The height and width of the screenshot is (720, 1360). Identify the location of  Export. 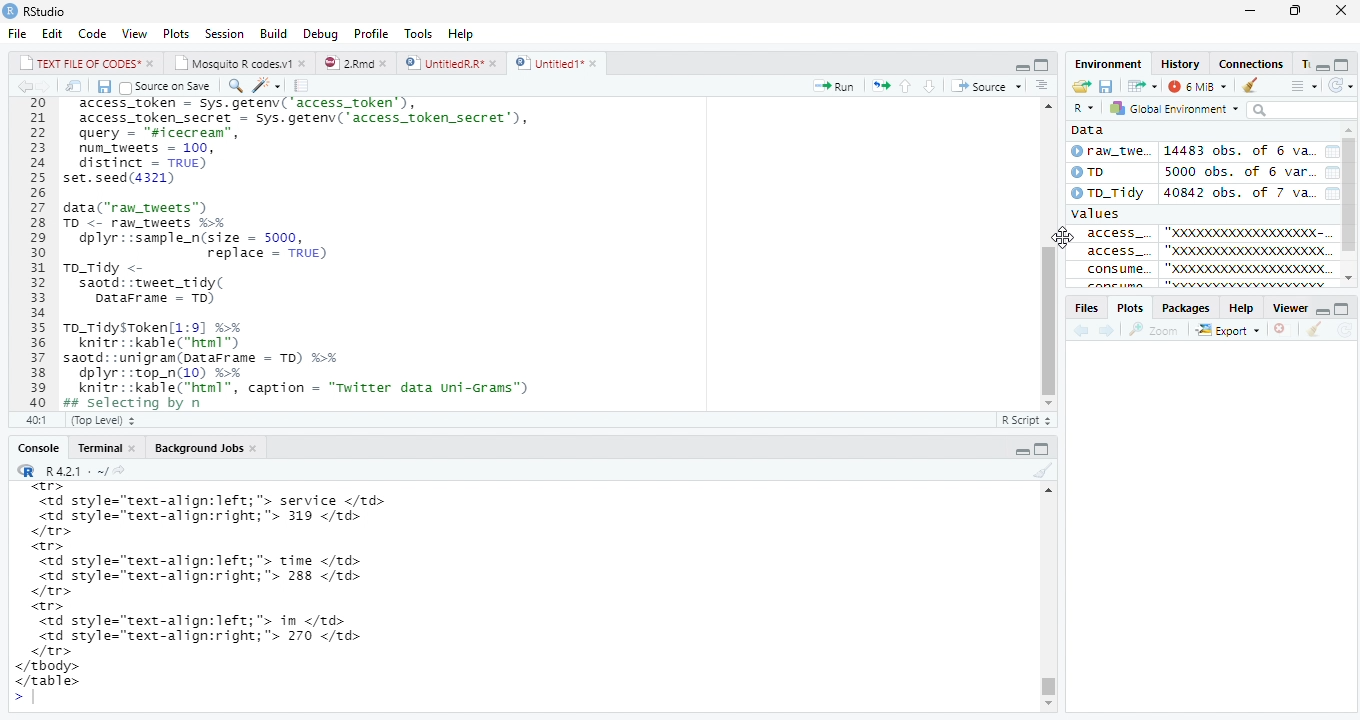
(1231, 331).